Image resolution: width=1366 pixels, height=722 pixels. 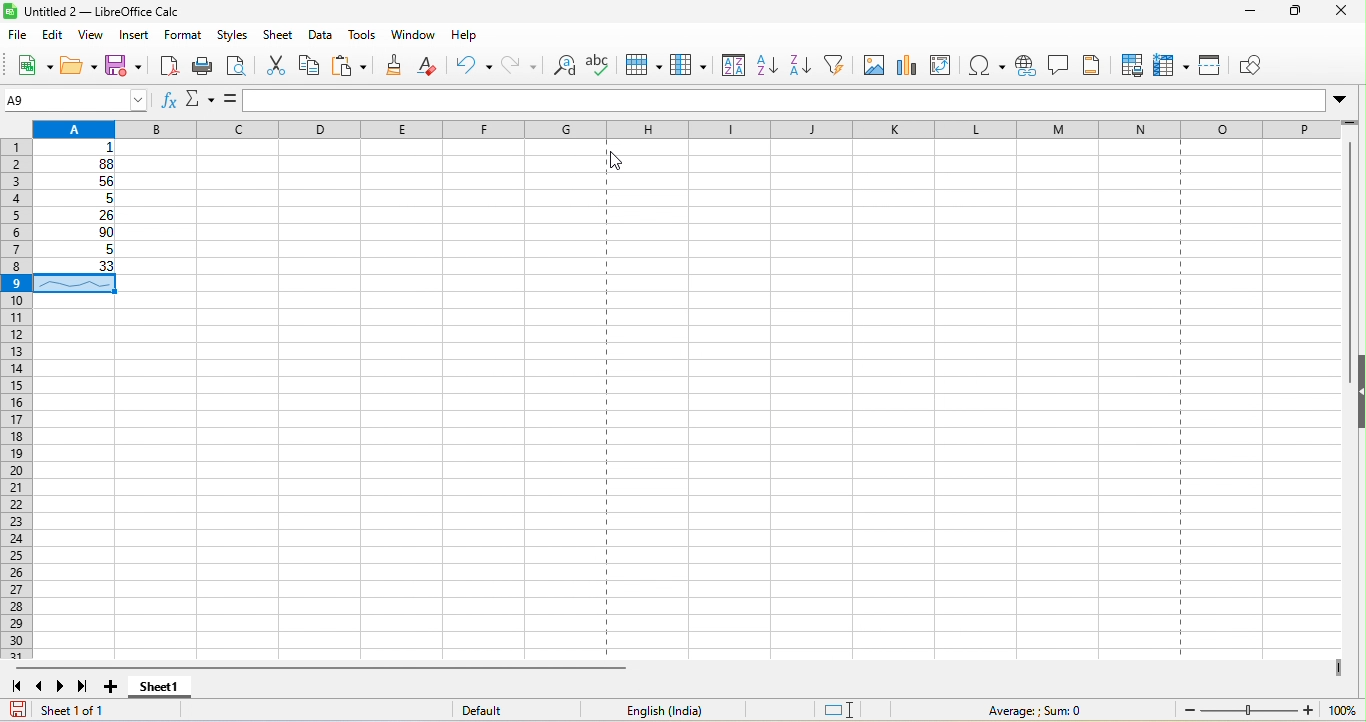 What do you see at coordinates (277, 67) in the screenshot?
I see `cut` at bounding box center [277, 67].